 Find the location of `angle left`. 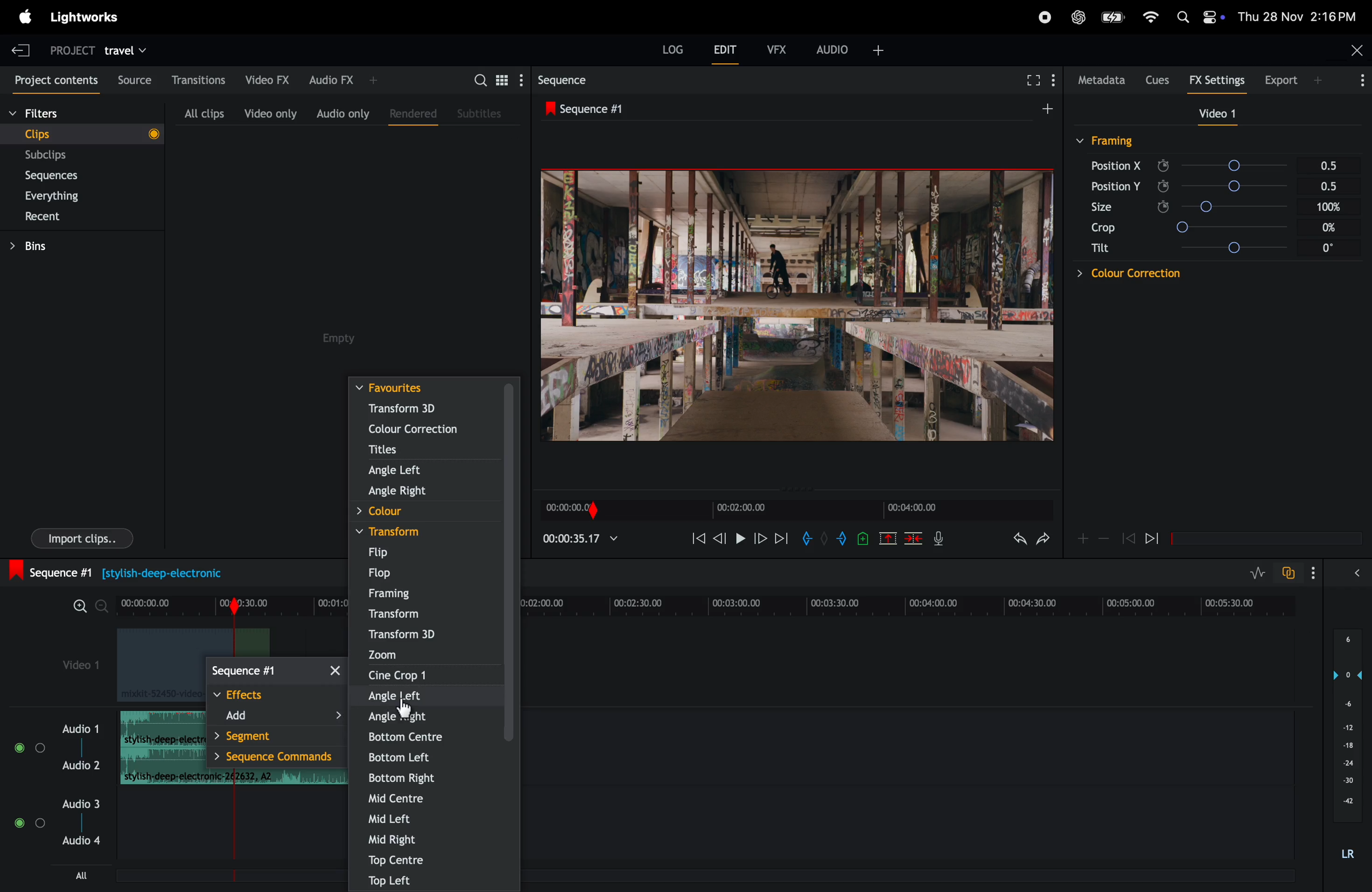

angle left is located at coordinates (435, 471).